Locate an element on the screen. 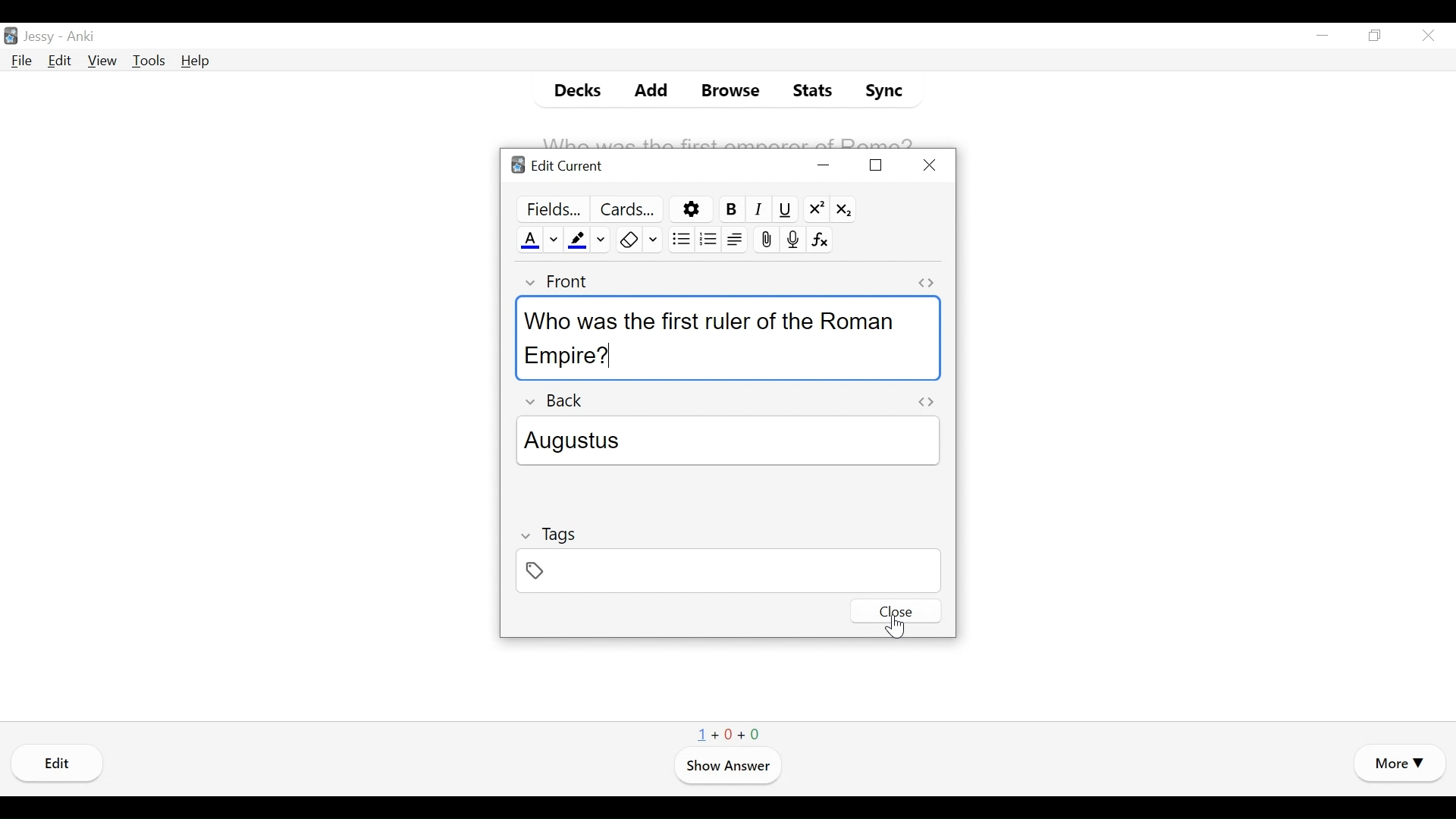  Unordered list is located at coordinates (679, 238).